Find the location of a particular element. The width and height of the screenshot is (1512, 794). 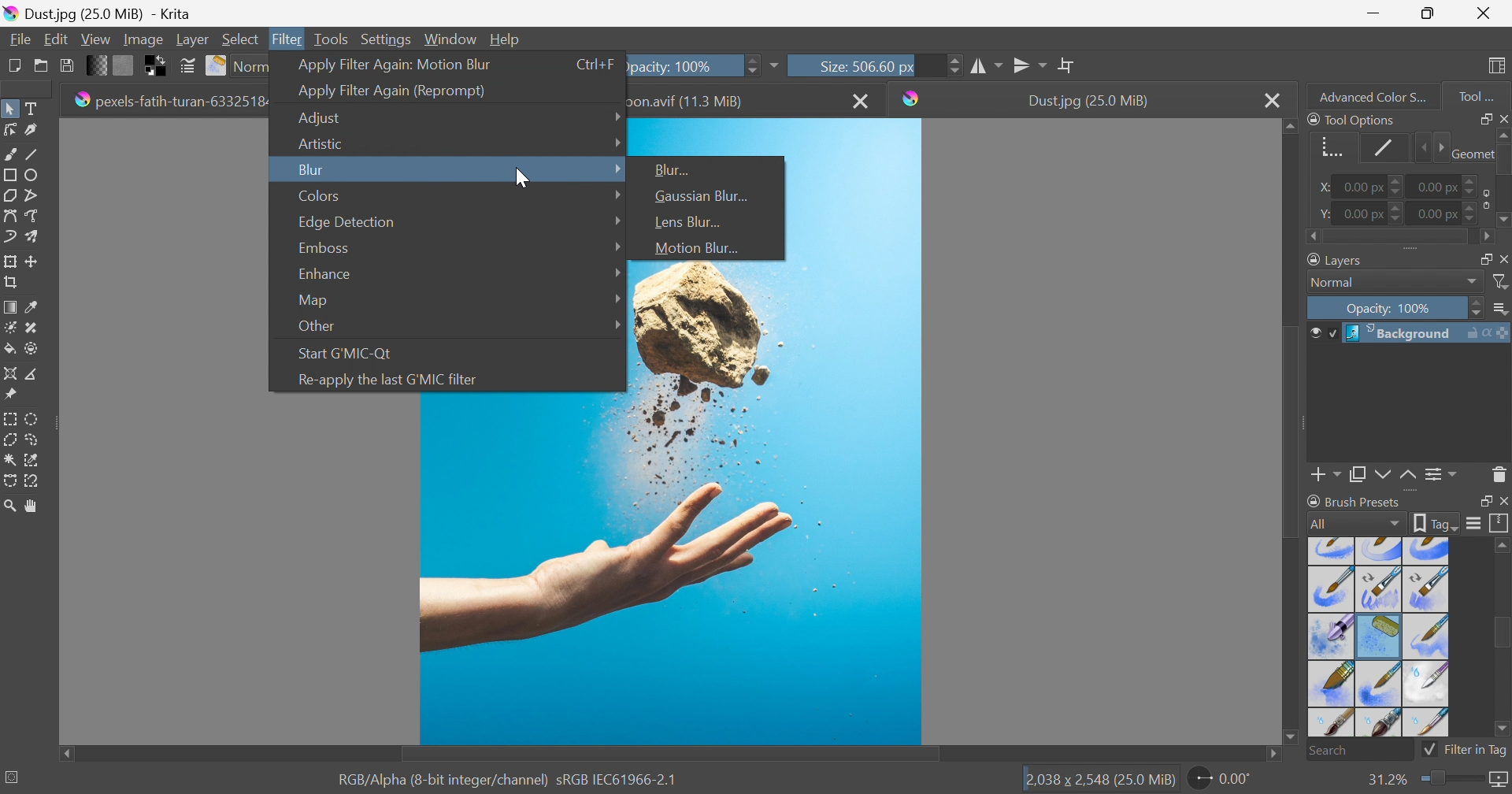

Assistant tool is located at coordinates (9, 372).